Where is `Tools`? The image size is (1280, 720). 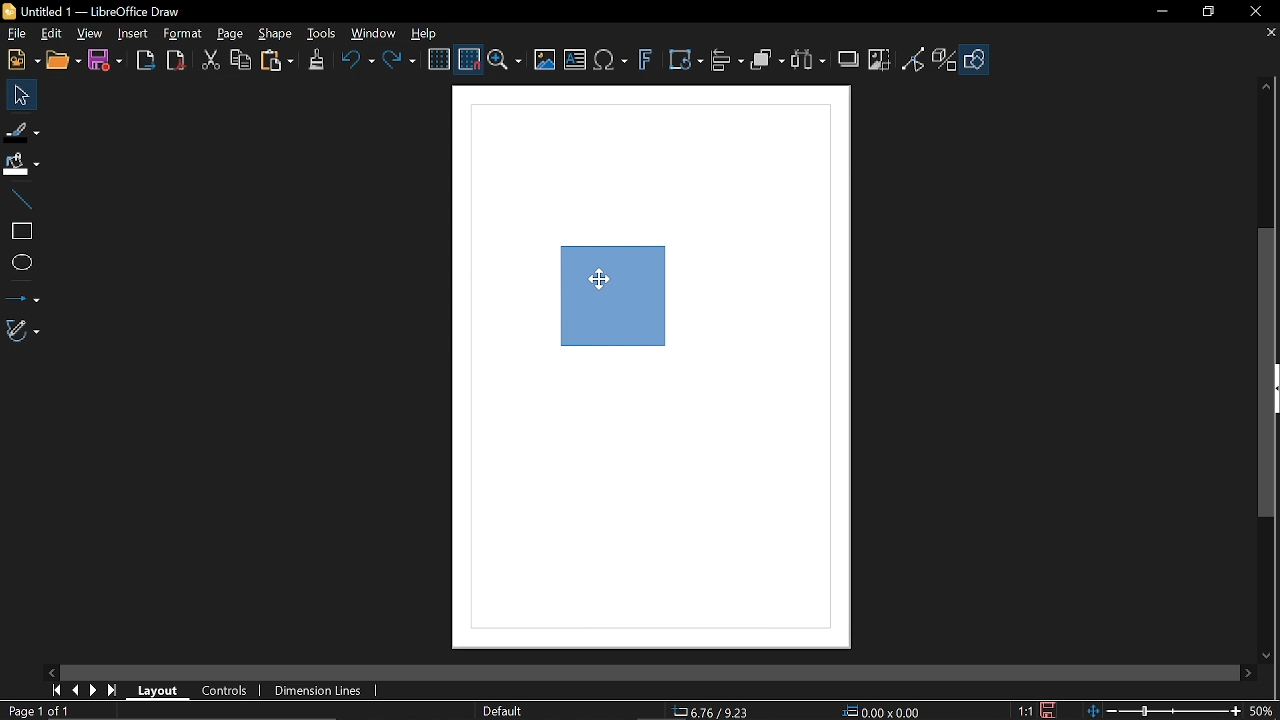 Tools is located at coordinates (321, 33).